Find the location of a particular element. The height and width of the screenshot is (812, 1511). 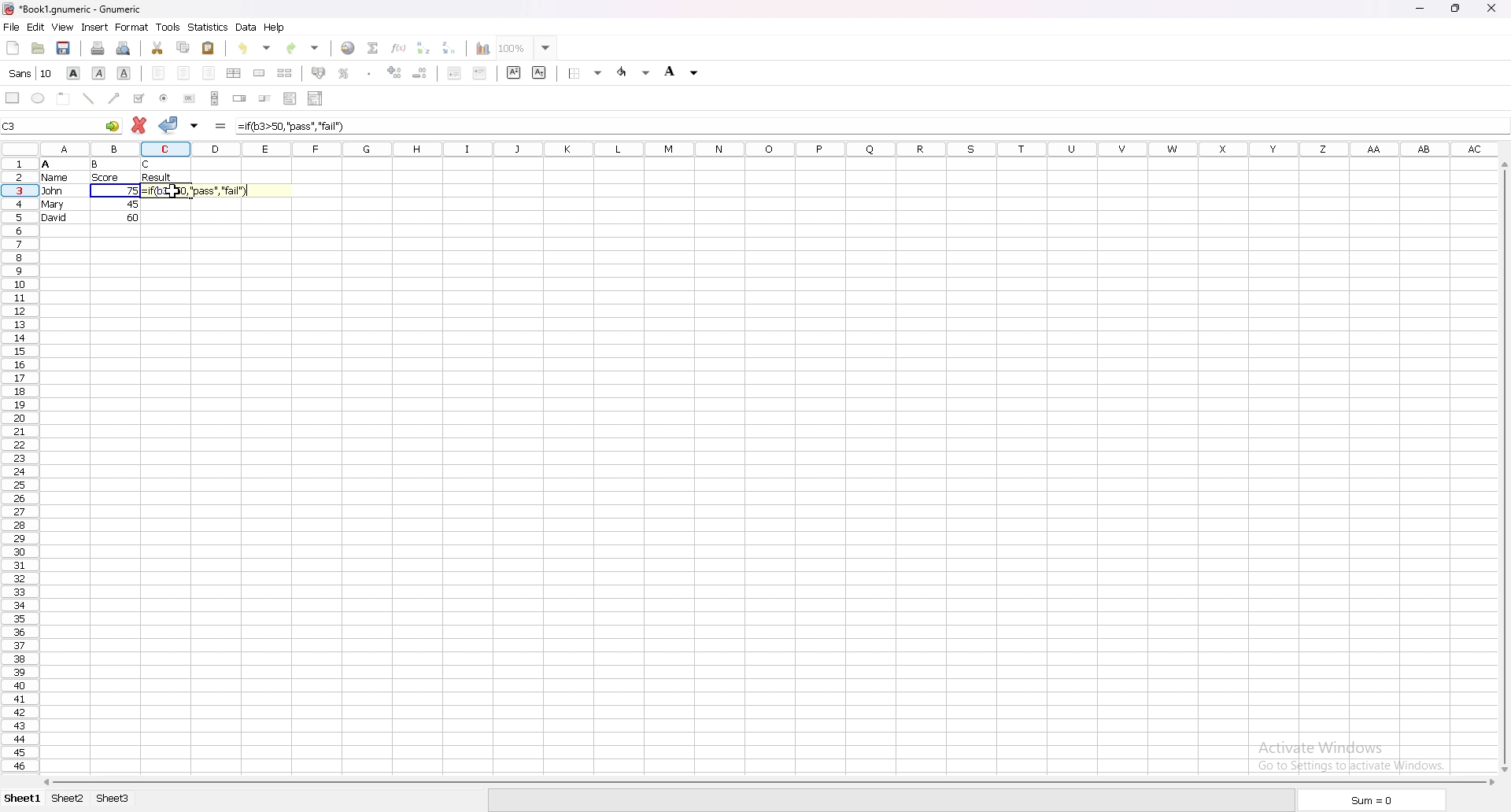

summation is located at coordinates (374, 49).